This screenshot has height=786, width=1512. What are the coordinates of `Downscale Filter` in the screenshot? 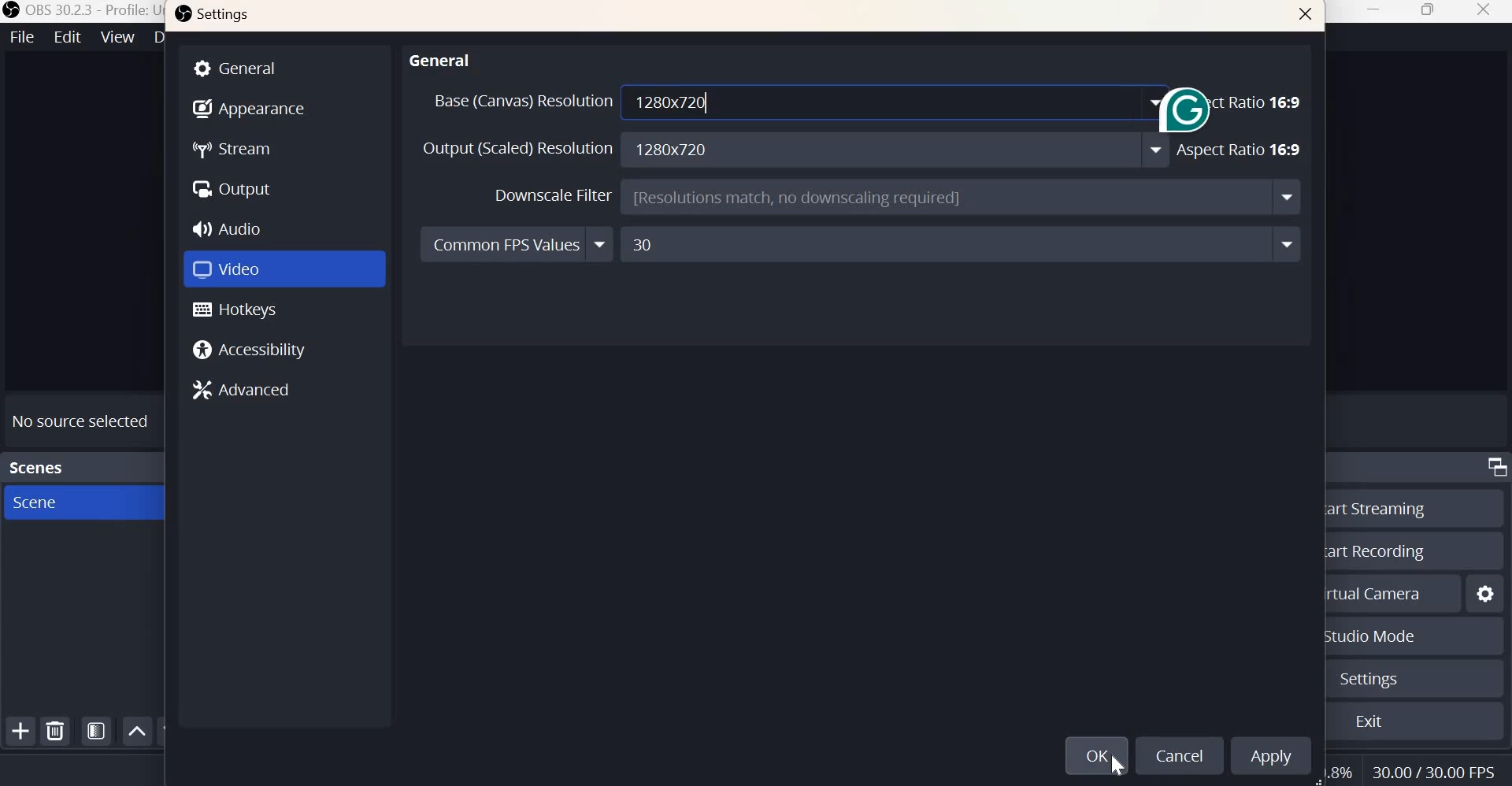 It's located at (554, 196).